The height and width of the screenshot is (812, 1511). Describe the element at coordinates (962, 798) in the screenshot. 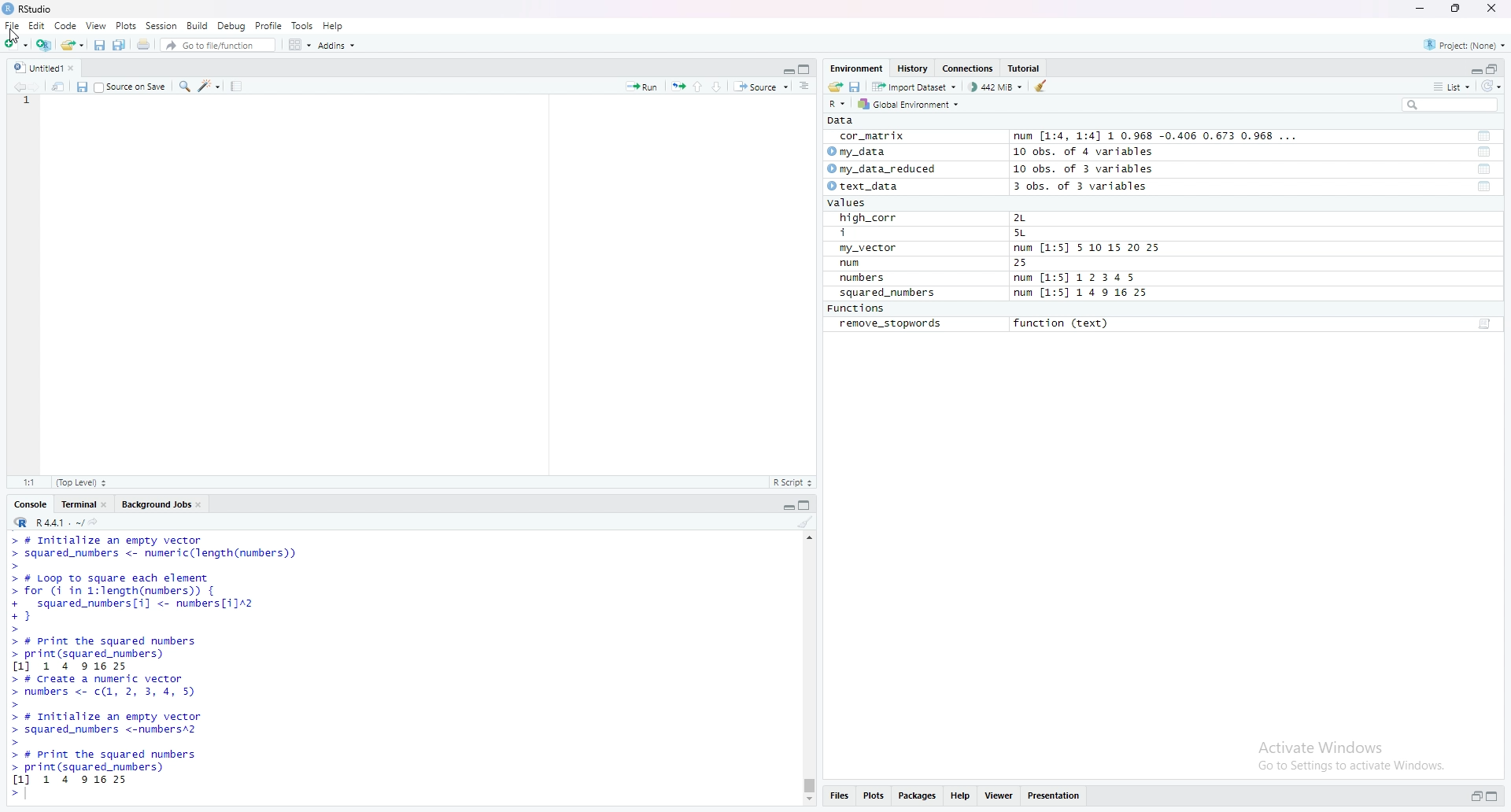

I see `Help` at that location.